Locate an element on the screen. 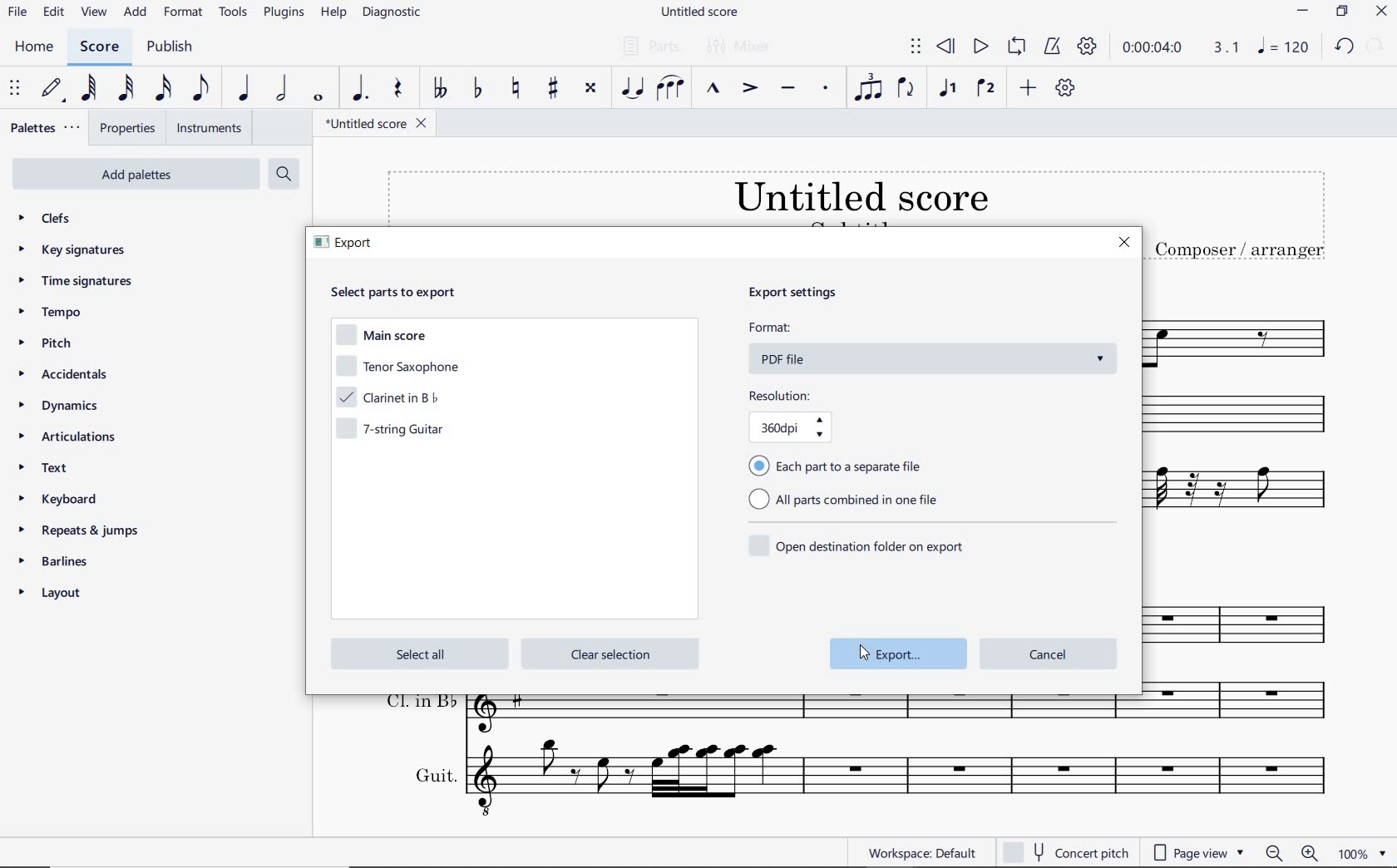  VIEW is located at coordinates (94, 11).